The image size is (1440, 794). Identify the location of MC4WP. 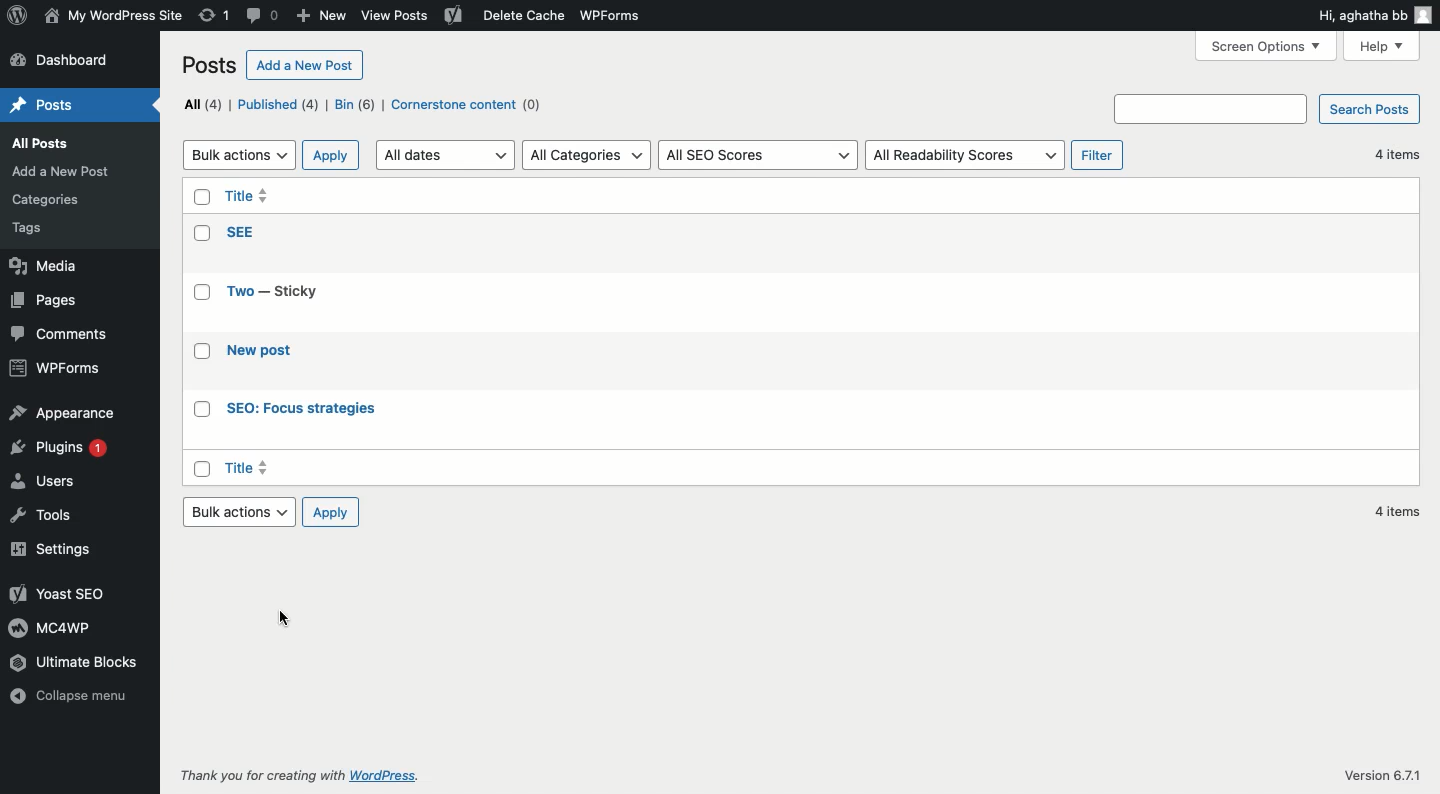
(48, 627).